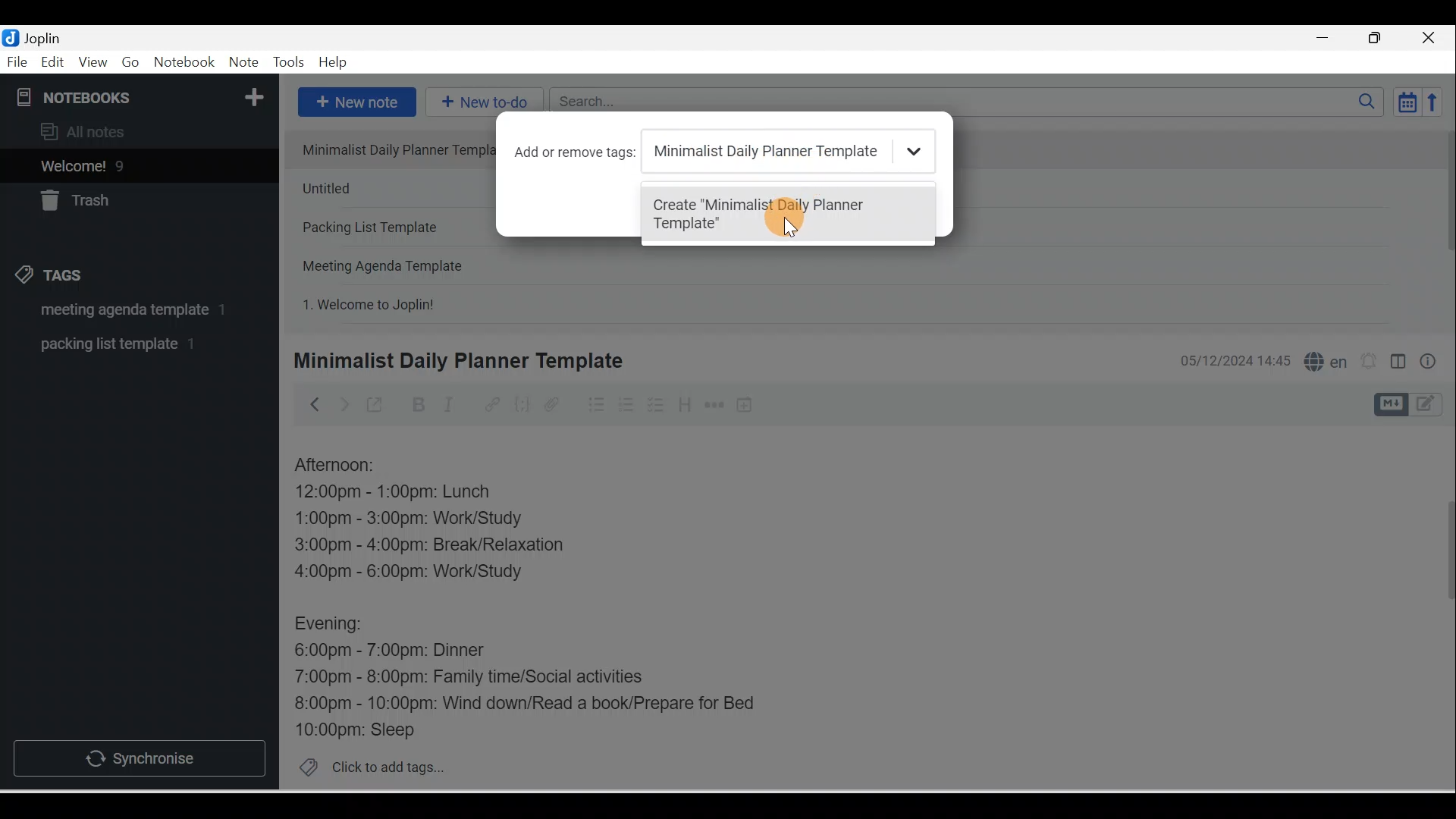  I want to click on Tag 1, so click(119, 311).